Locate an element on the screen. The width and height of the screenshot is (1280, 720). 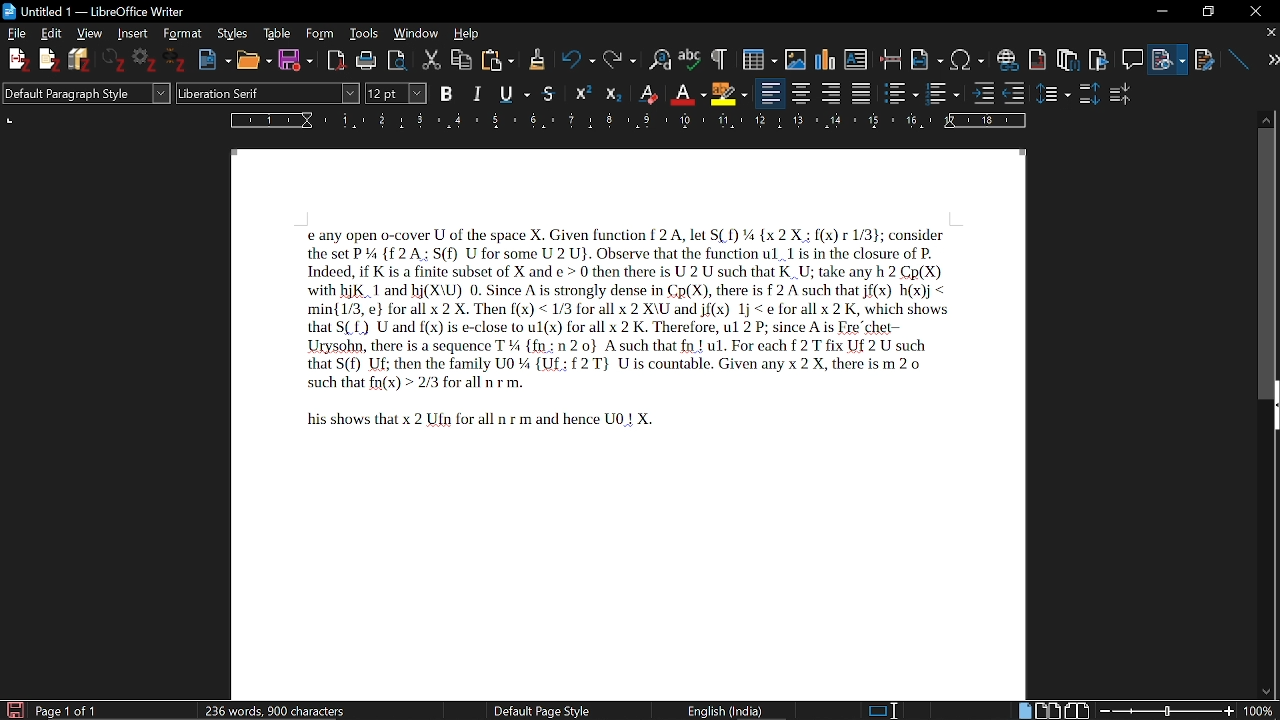
Redo is located at coordinates (617, 58).